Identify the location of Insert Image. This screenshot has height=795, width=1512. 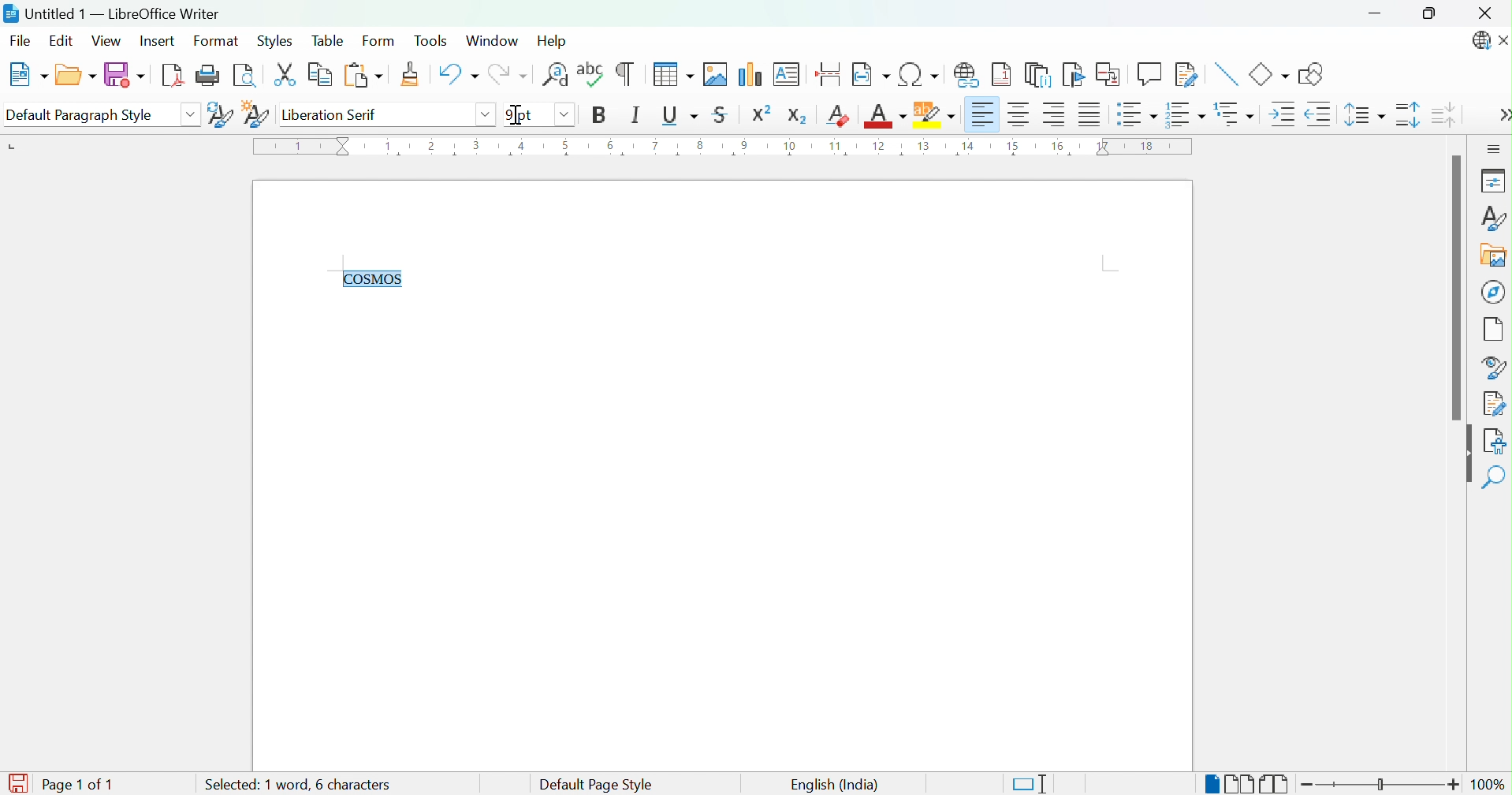
(716, 74).